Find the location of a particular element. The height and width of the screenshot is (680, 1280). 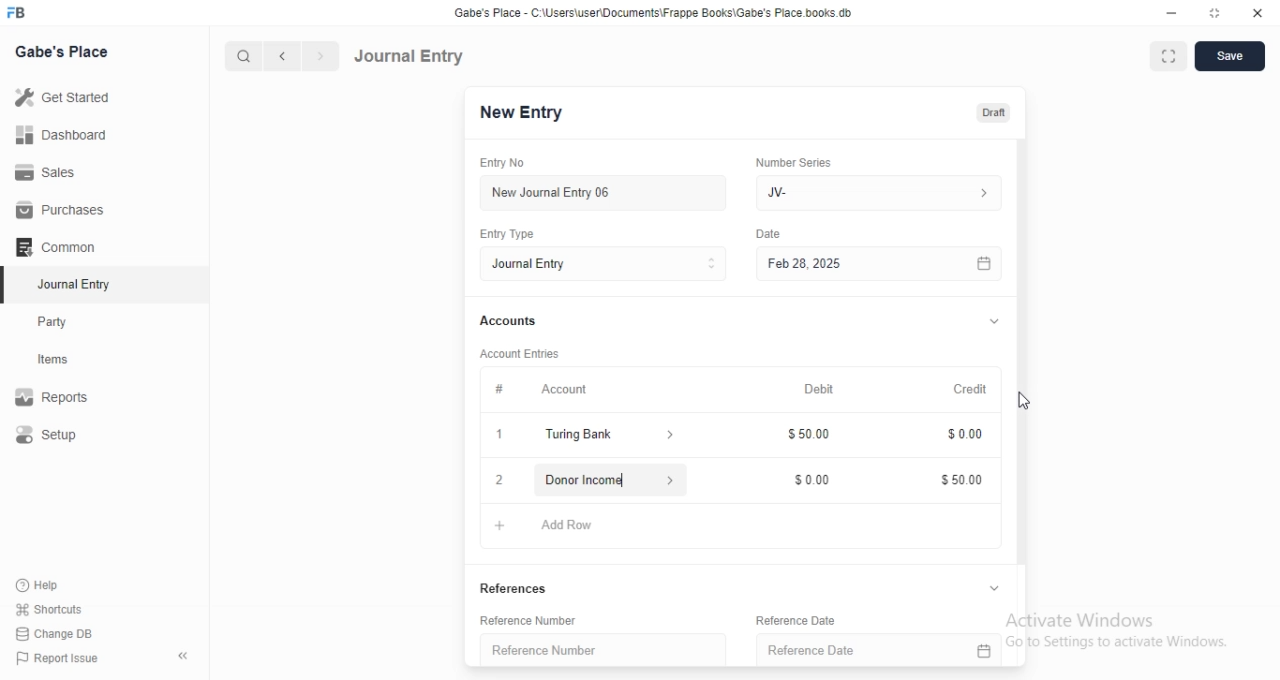

Add Row is located at coordinates (554, 527).